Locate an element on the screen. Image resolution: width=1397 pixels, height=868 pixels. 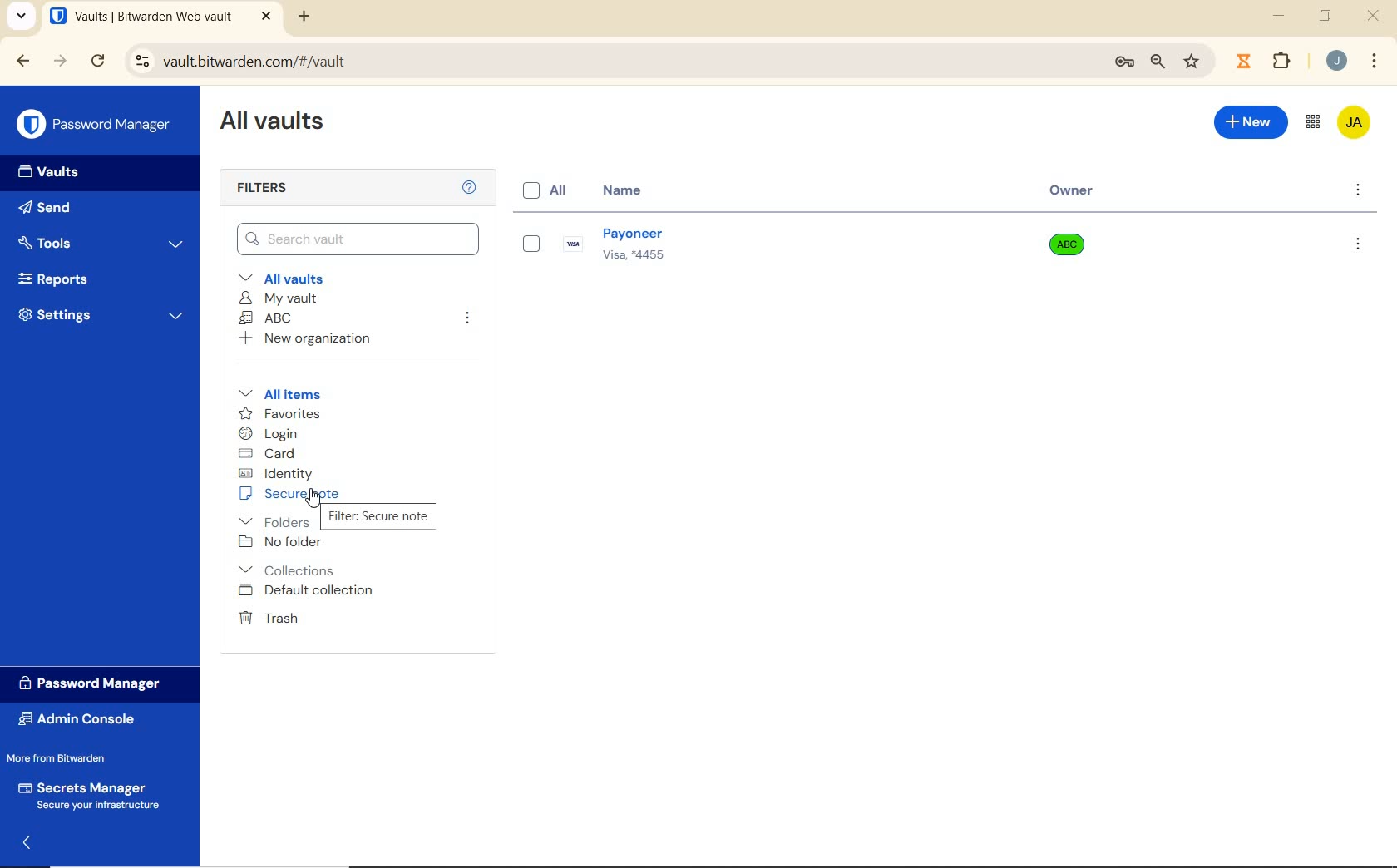
Settings is located at coordinates (99, 314).